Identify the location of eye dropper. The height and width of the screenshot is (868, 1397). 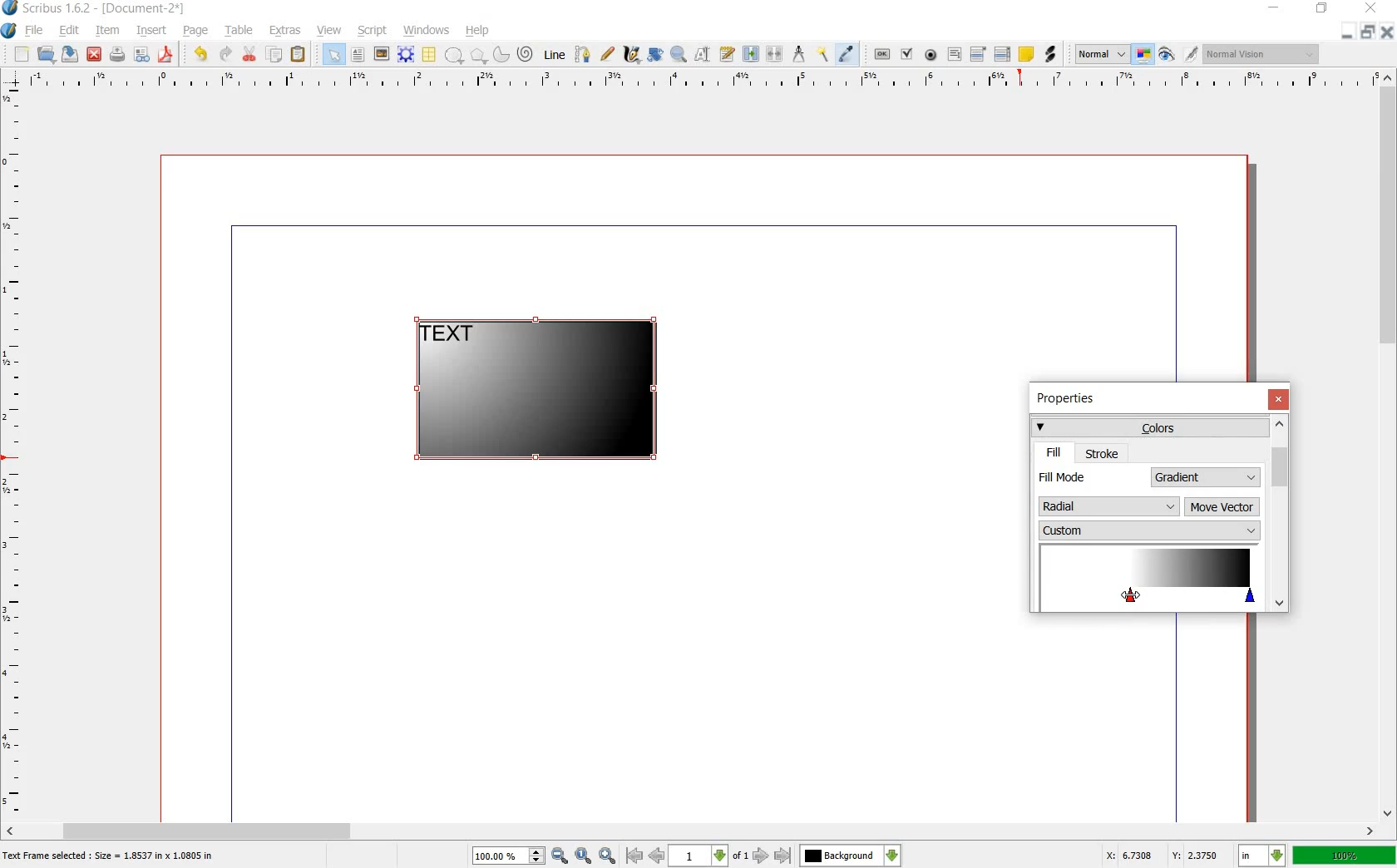
(847, 55).